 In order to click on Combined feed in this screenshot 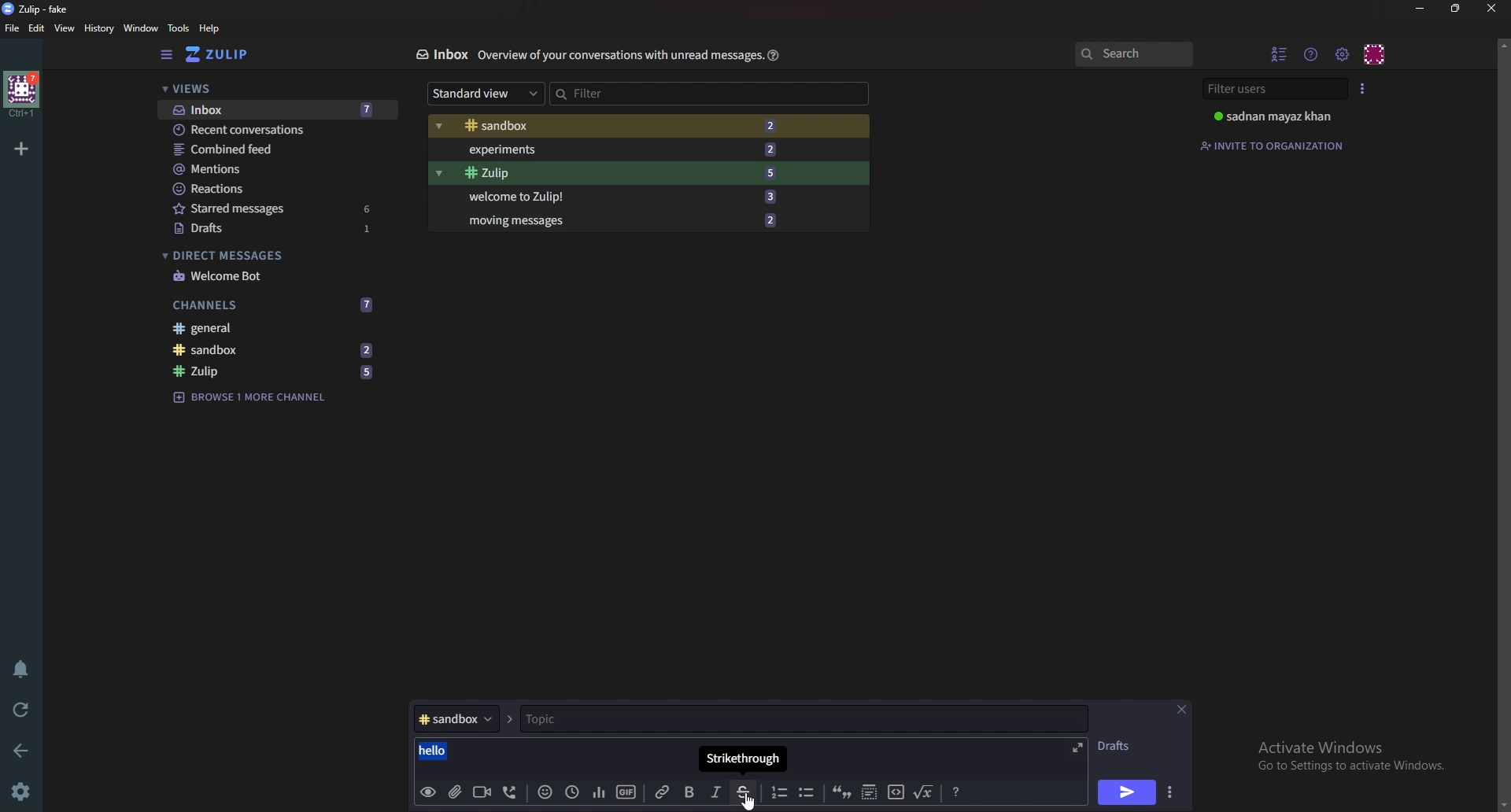, I will do `click(268, 148)`.